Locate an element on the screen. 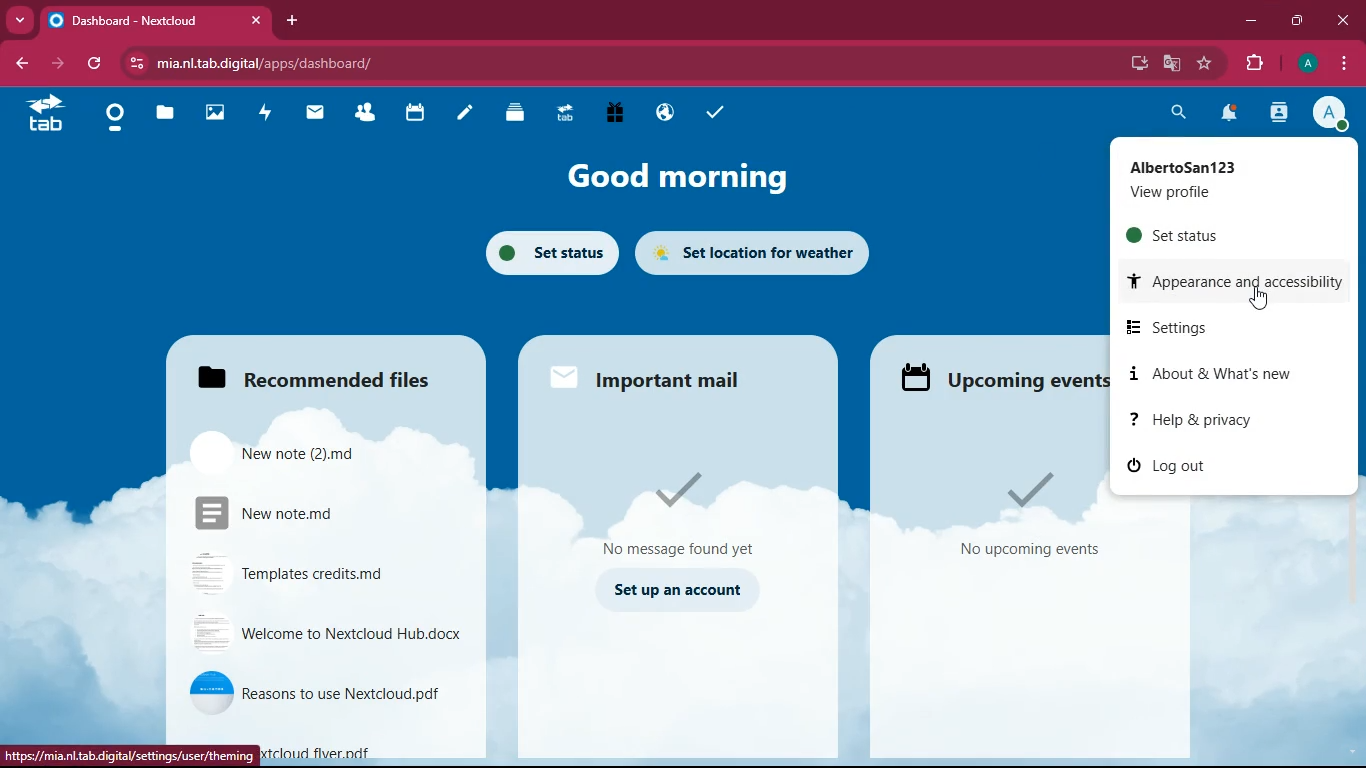 This screenshot has height=768, width=1366. tab is located at coordinates (127, 21).